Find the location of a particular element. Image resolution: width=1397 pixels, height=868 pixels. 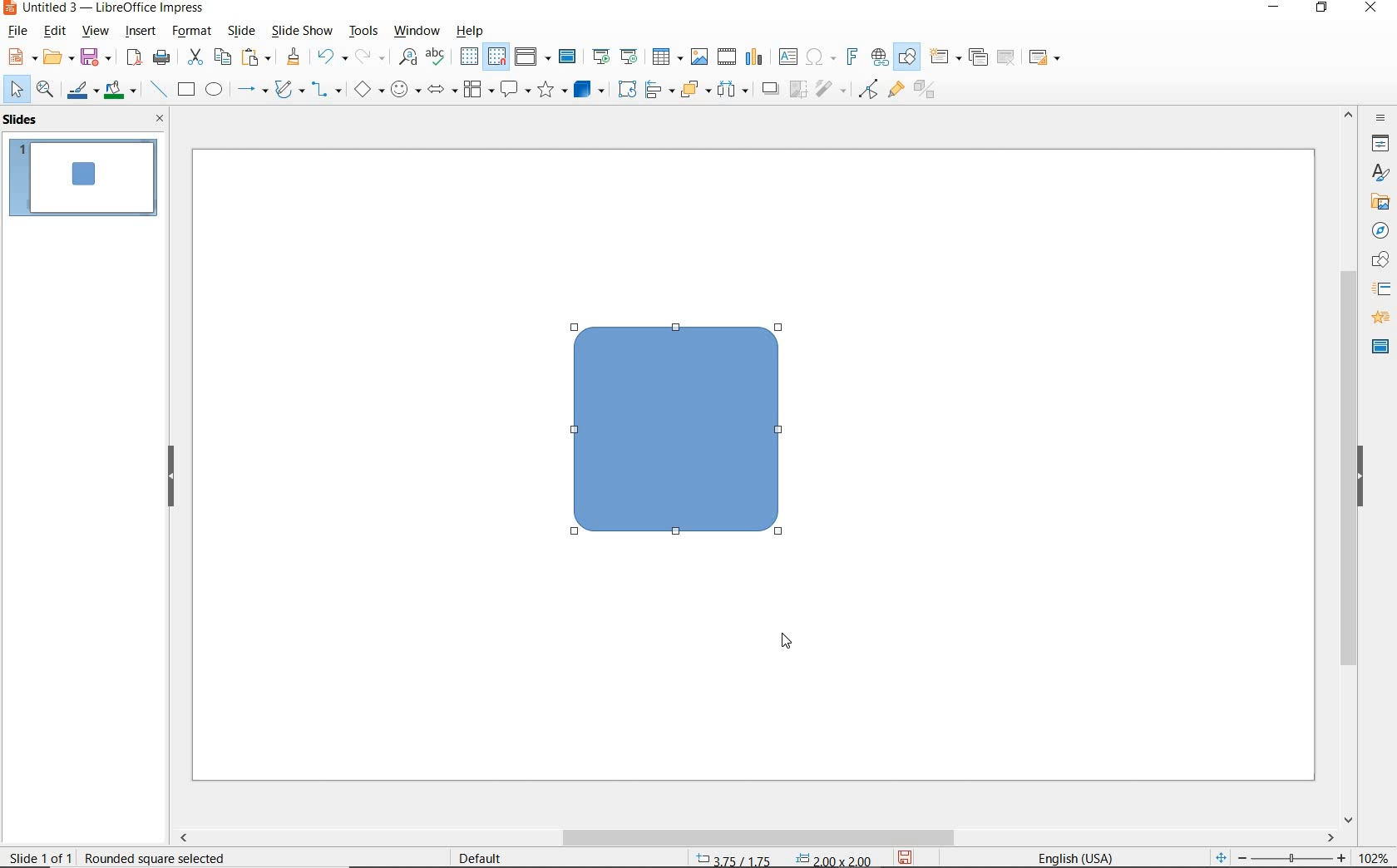

insert image is located at coordinates (700, 57).